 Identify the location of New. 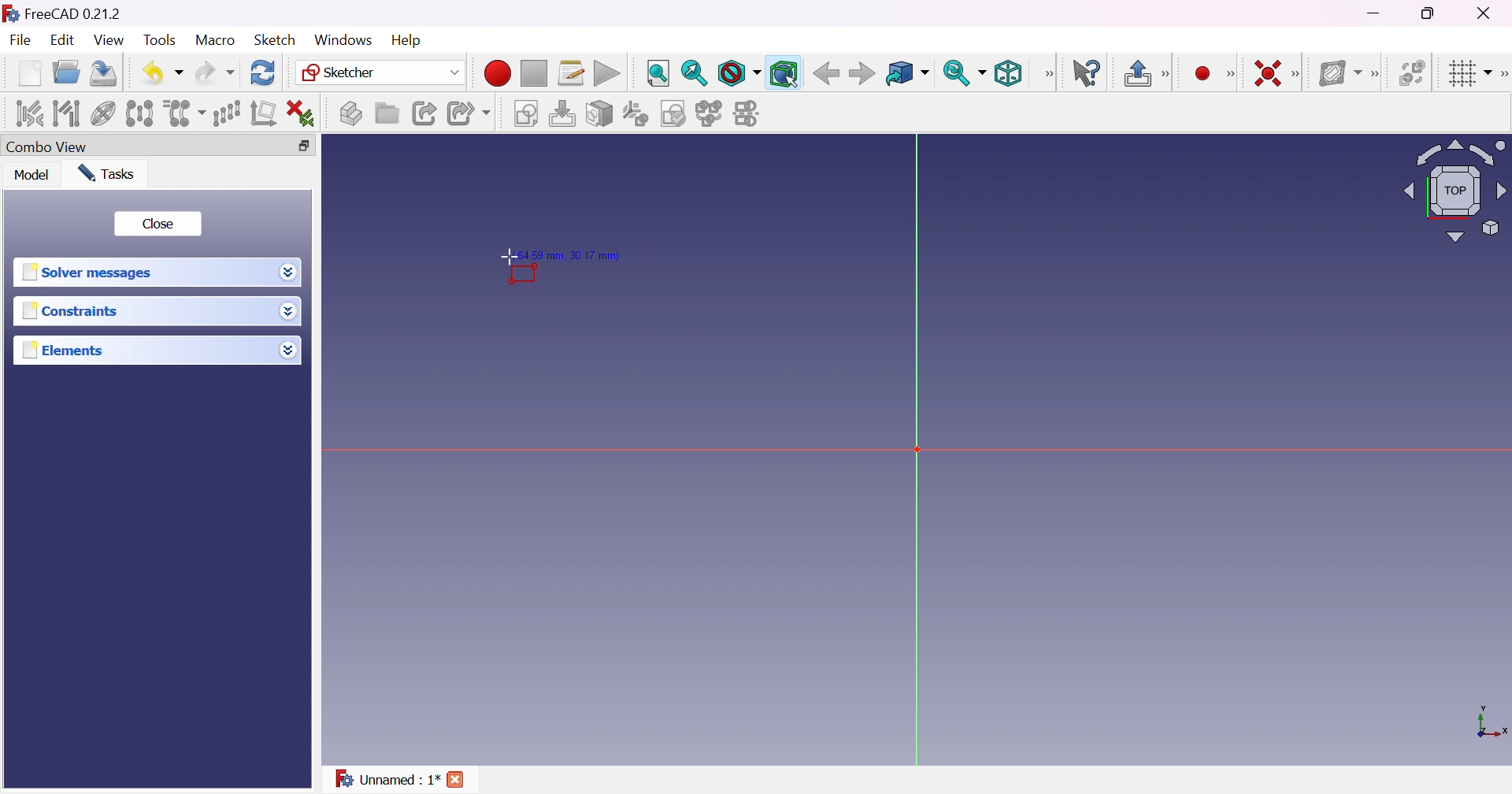
(29, 73).